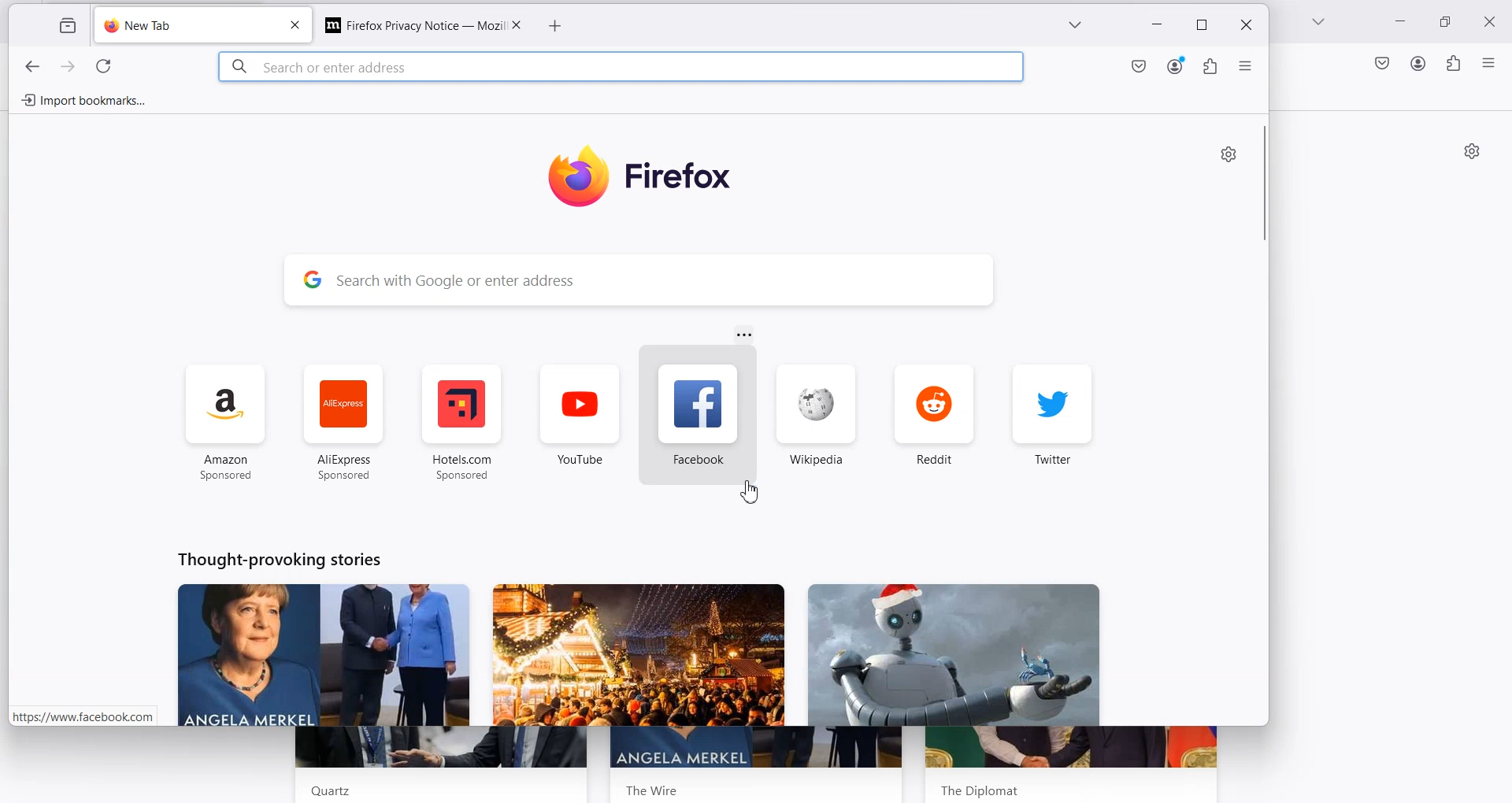 Image resolution: width=1512 pixels, height=803 pixels. What do you see at coordinates (265, 555) in the screenshot?
I see `Thought-provoking stories` at bounding box center [265, 555].